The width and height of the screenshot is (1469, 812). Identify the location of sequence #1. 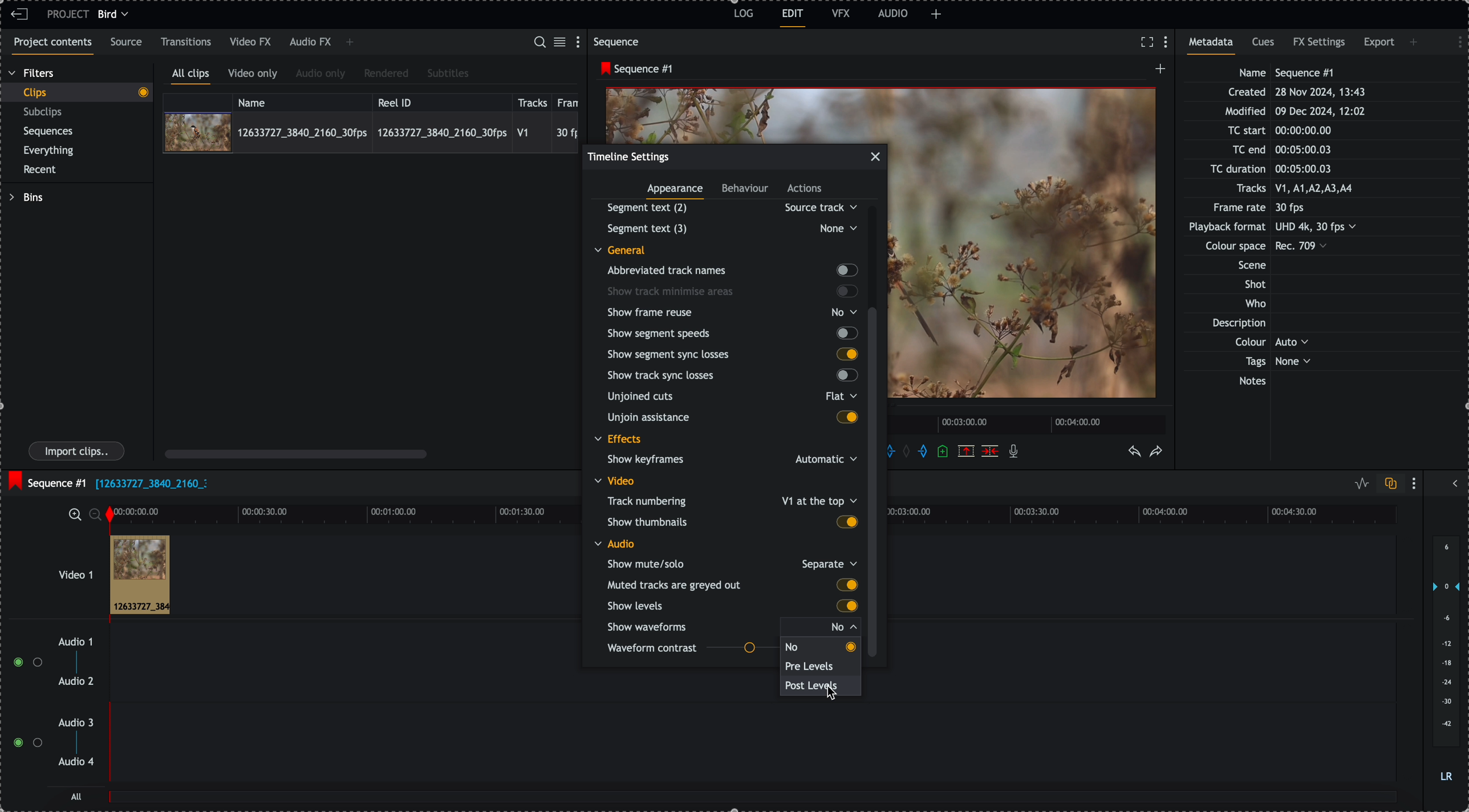
(634, 69).